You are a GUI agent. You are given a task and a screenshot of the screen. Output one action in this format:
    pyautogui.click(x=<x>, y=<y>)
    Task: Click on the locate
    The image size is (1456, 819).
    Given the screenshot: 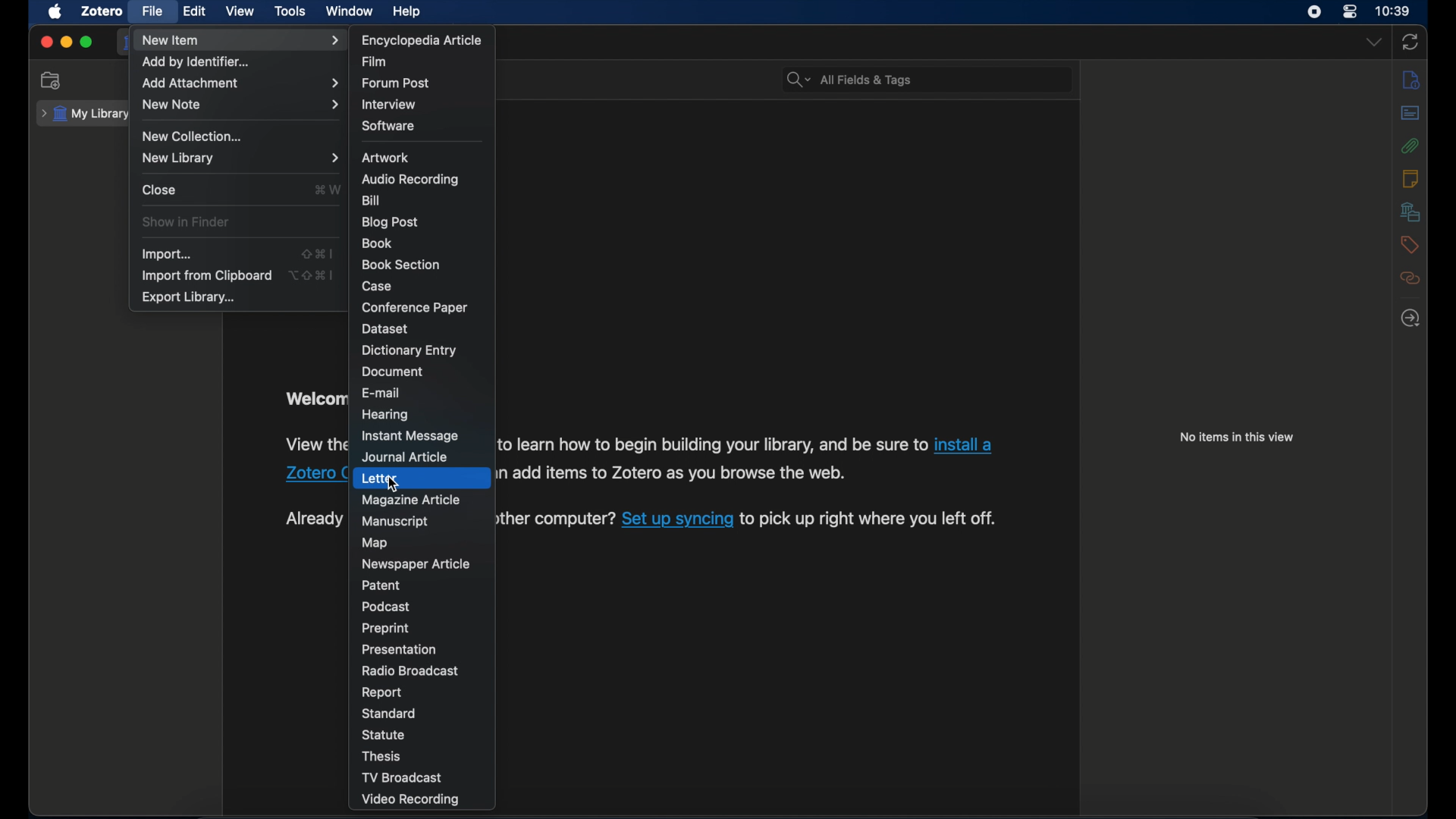 What is the action you would take?
    pyautogui.click(x=1410, y=319)
    